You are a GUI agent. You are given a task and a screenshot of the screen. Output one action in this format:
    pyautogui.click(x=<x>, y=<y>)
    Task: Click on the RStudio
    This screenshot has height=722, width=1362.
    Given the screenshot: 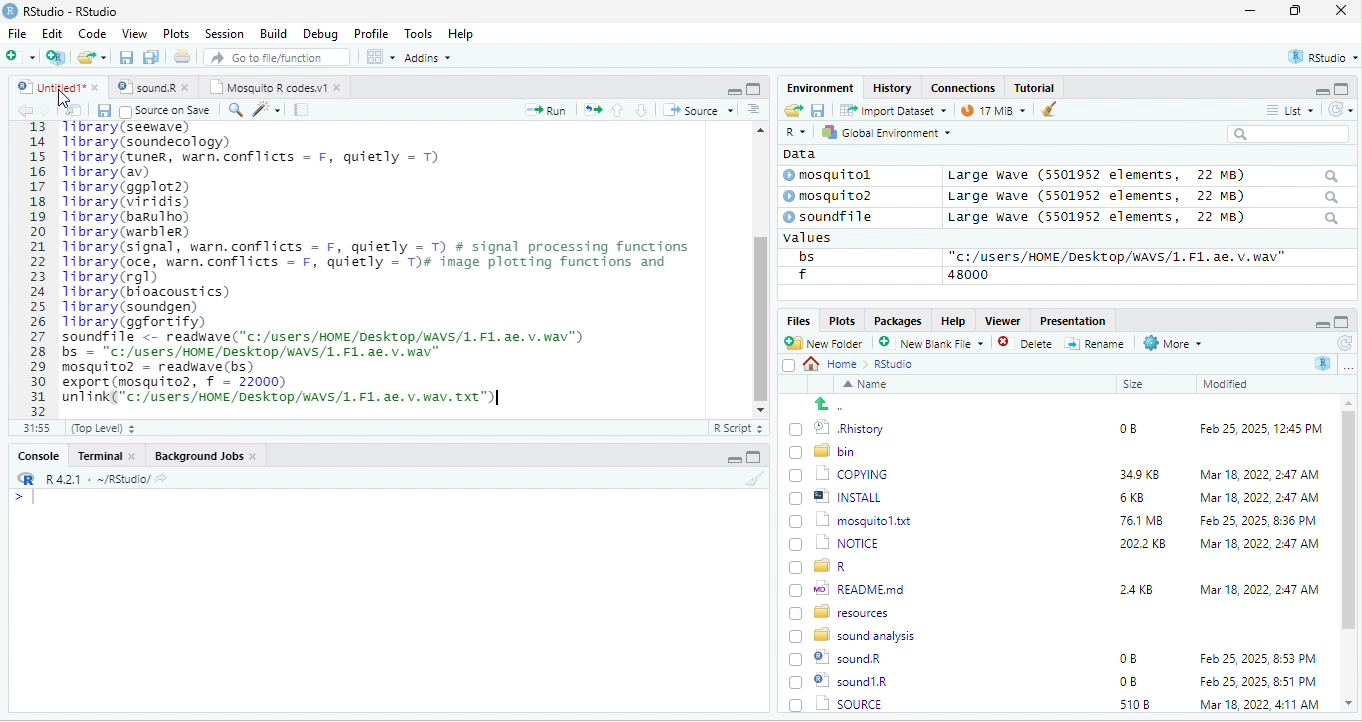 What is the action you would take?
    pyautogui.click(x=64, y=10)
    